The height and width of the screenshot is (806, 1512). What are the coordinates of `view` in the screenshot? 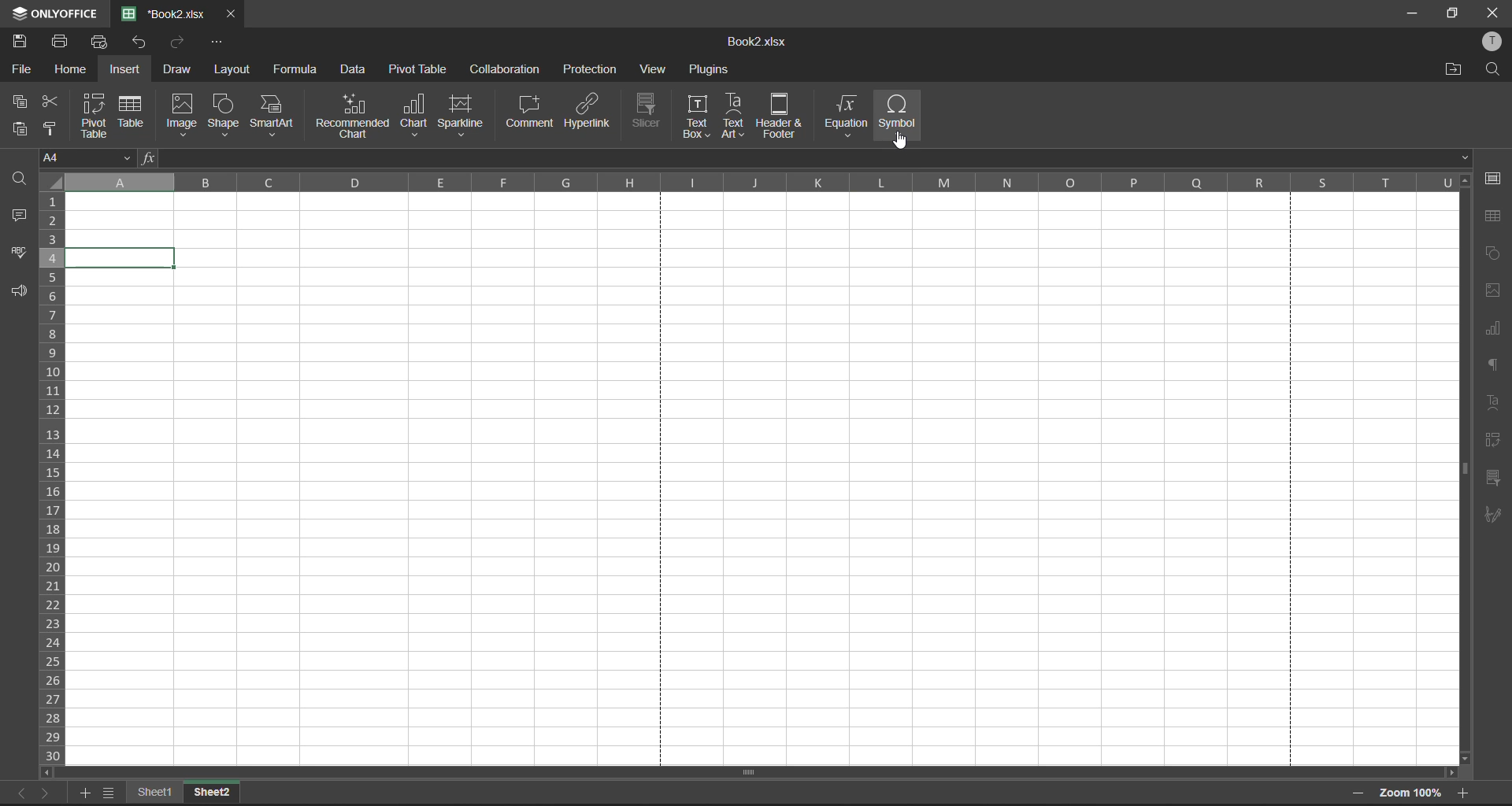 It's located at (652, 70).